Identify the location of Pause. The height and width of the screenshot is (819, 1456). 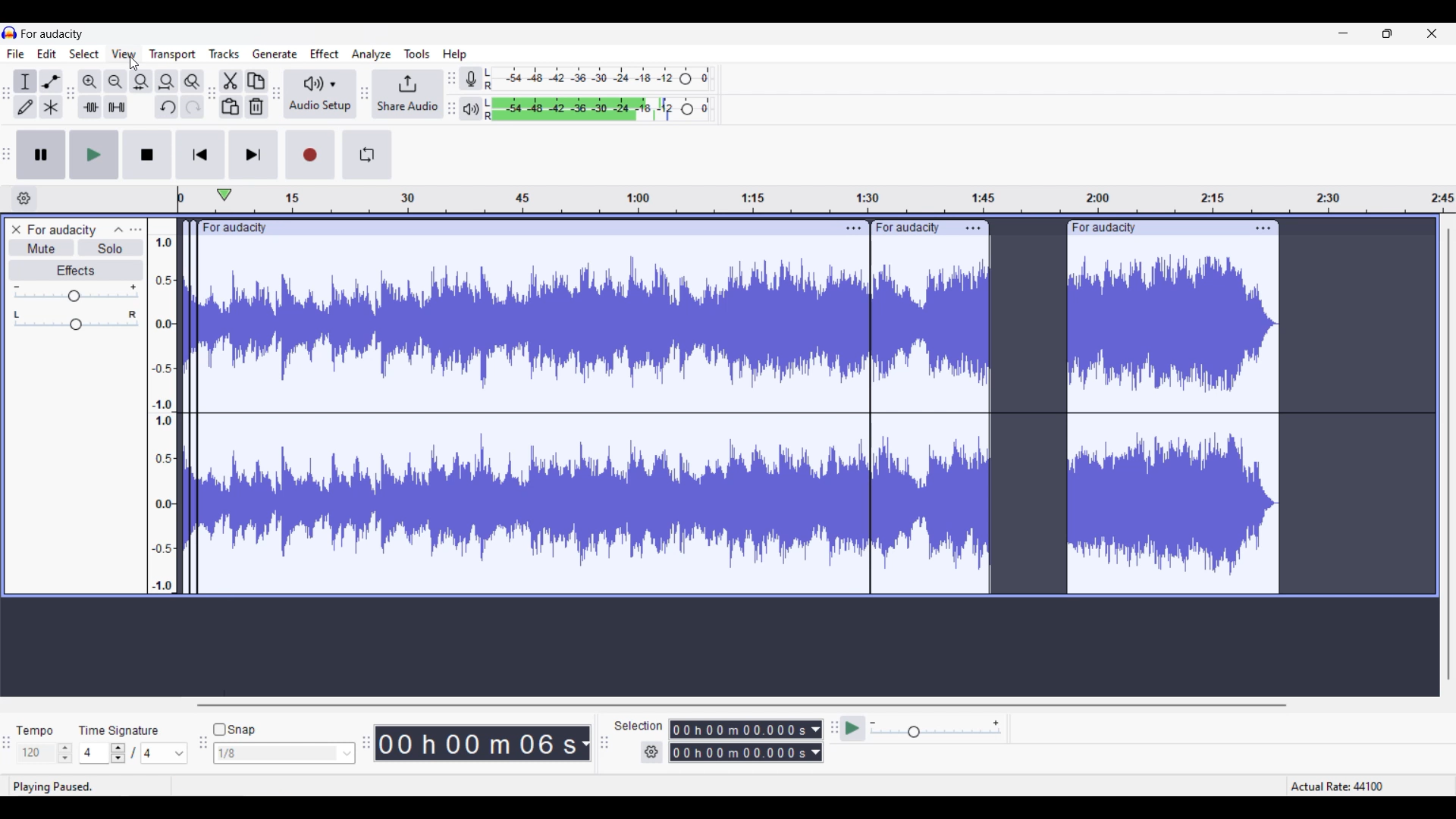
(41, 155).